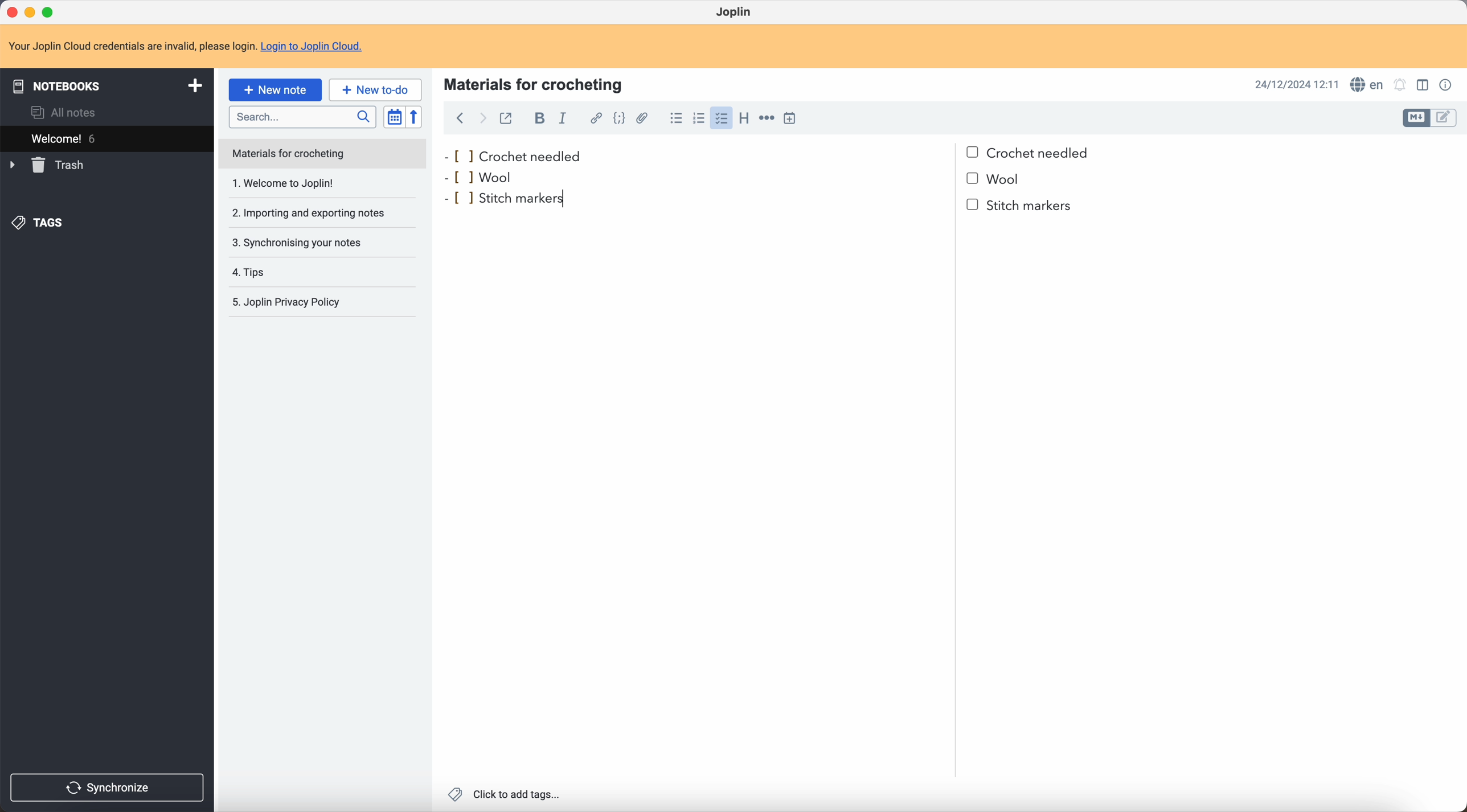 This screenshot has height=812, width=1467. Describe the element at coordinates (675, 118) in the screenshot. I see `bulleted list` at that location.